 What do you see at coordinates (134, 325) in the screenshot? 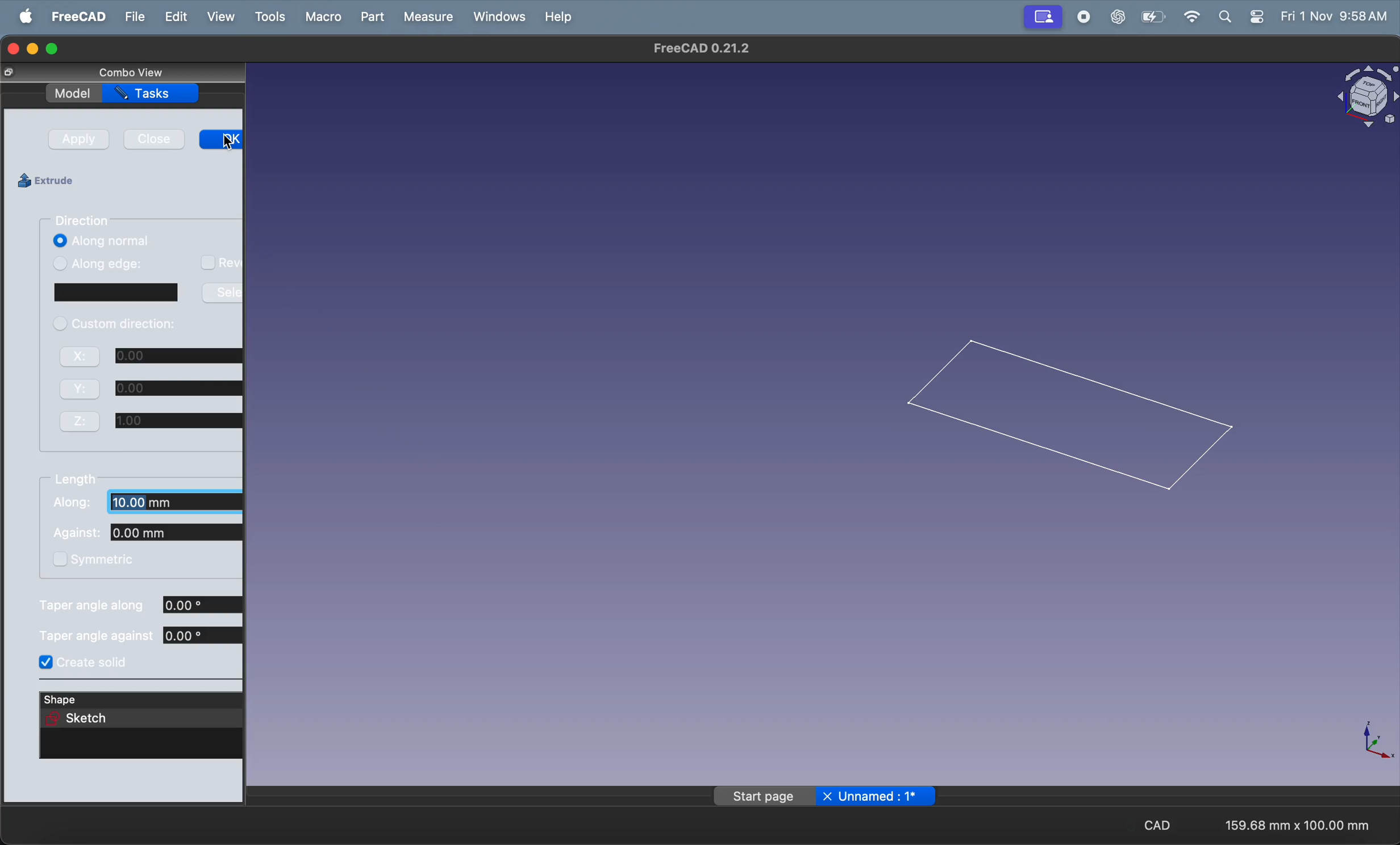
I see `custom direction` at bounding box center [134, 325].